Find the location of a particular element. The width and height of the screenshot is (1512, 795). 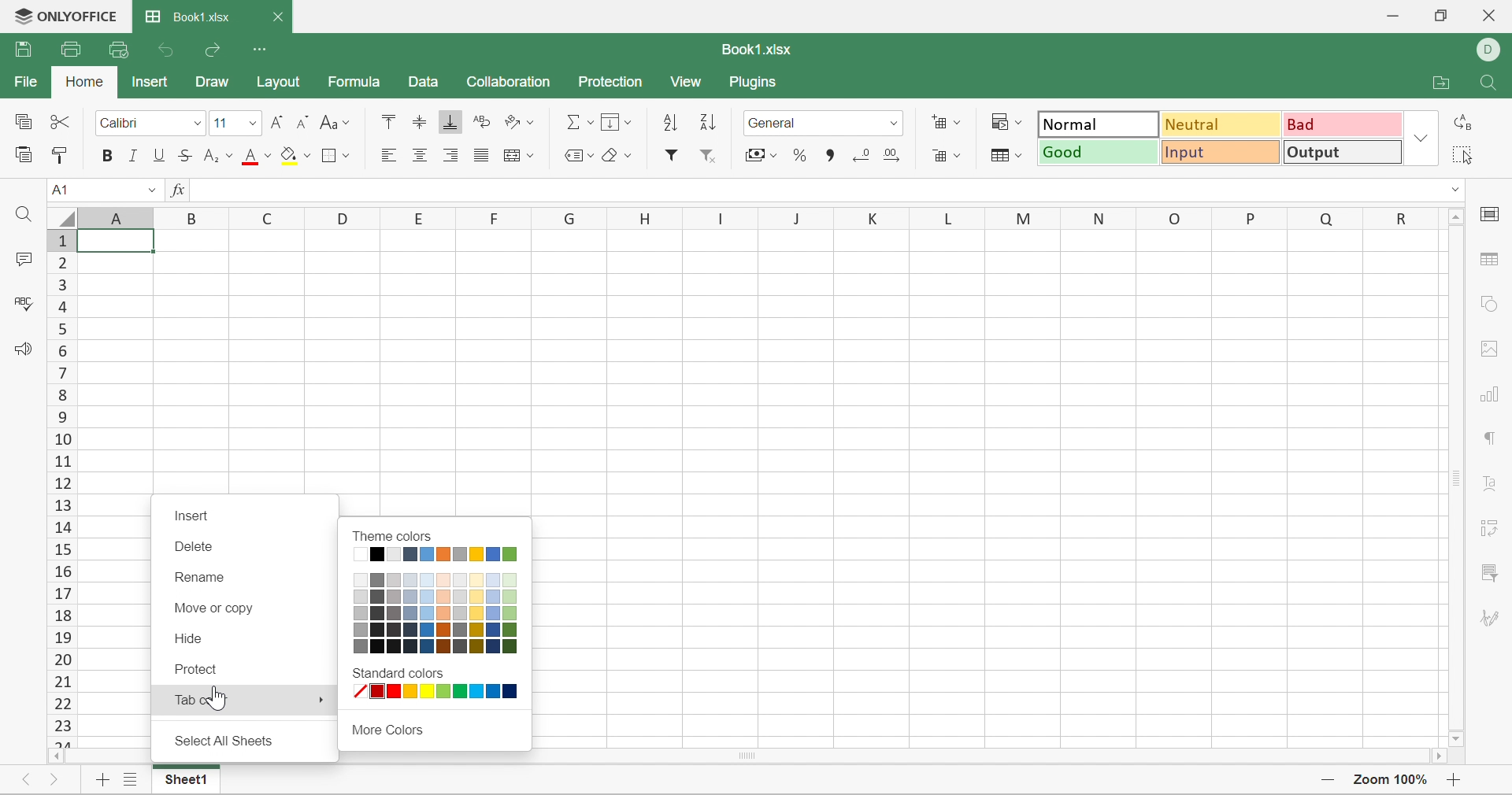

Book1.xlsx is located at coordinates (187, 17).